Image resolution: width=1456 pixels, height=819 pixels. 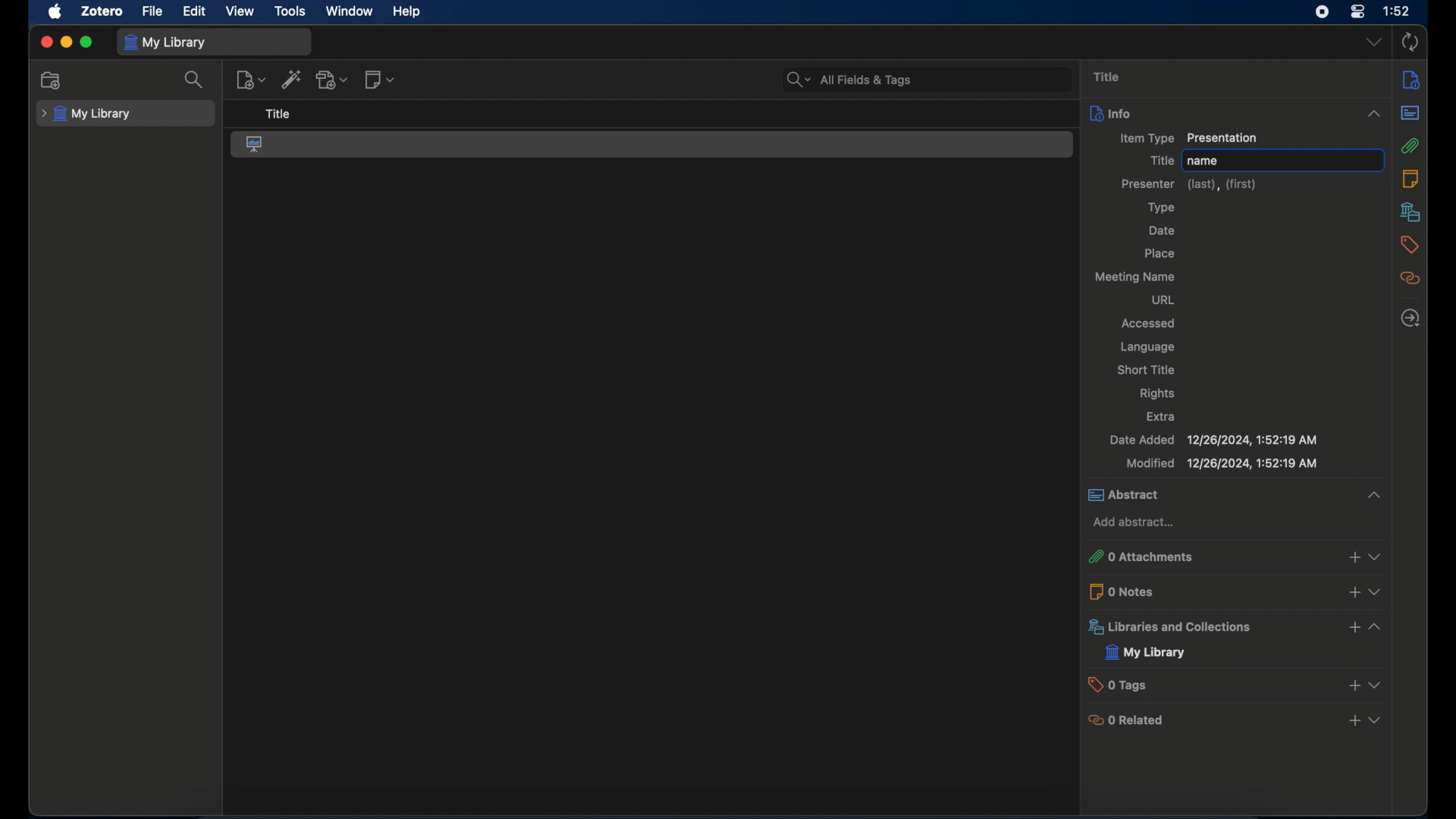 I want to click on tags, so click(x=1410, y=245).